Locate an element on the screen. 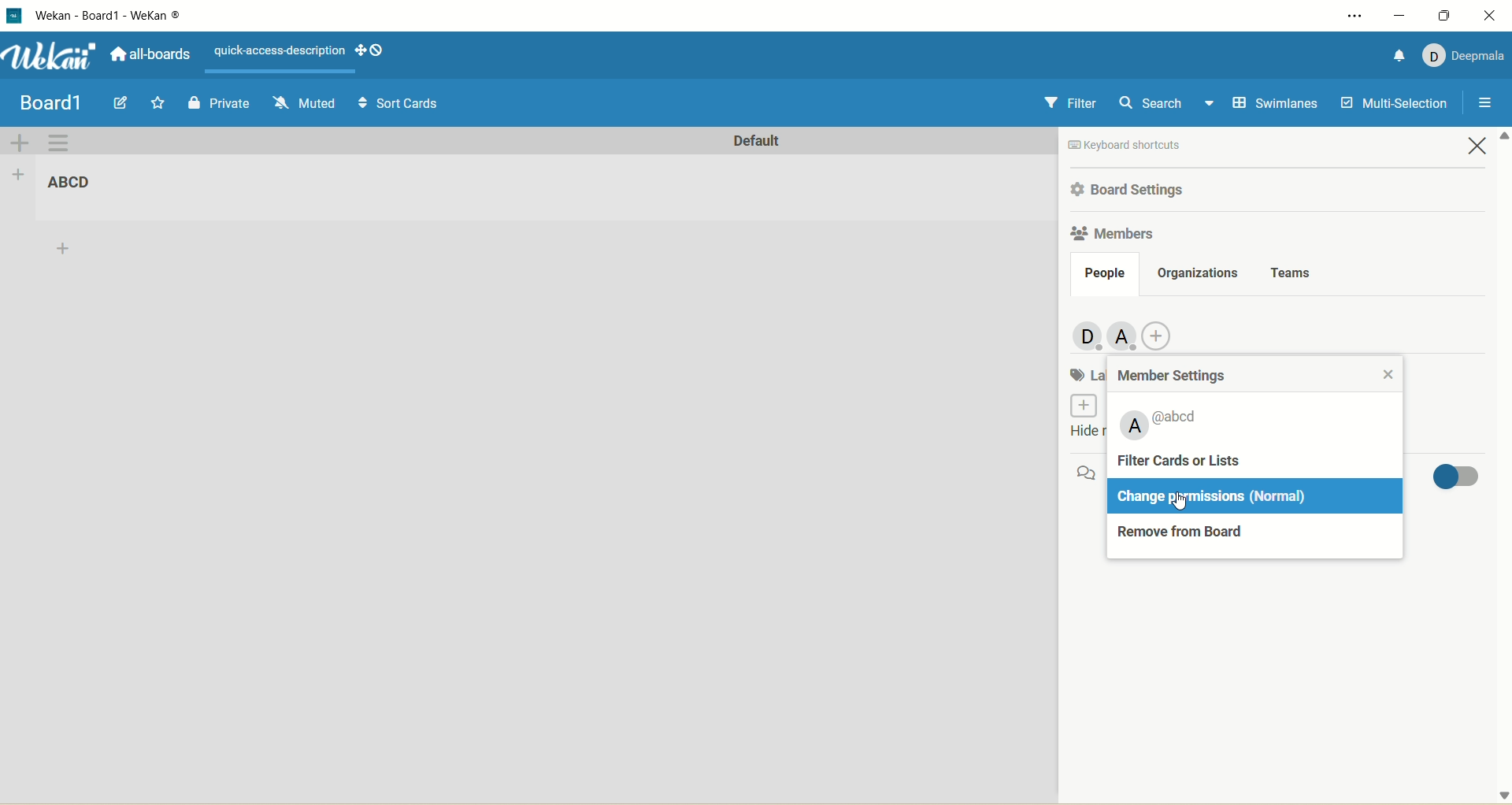  people is located at coordinates (1104, 274).